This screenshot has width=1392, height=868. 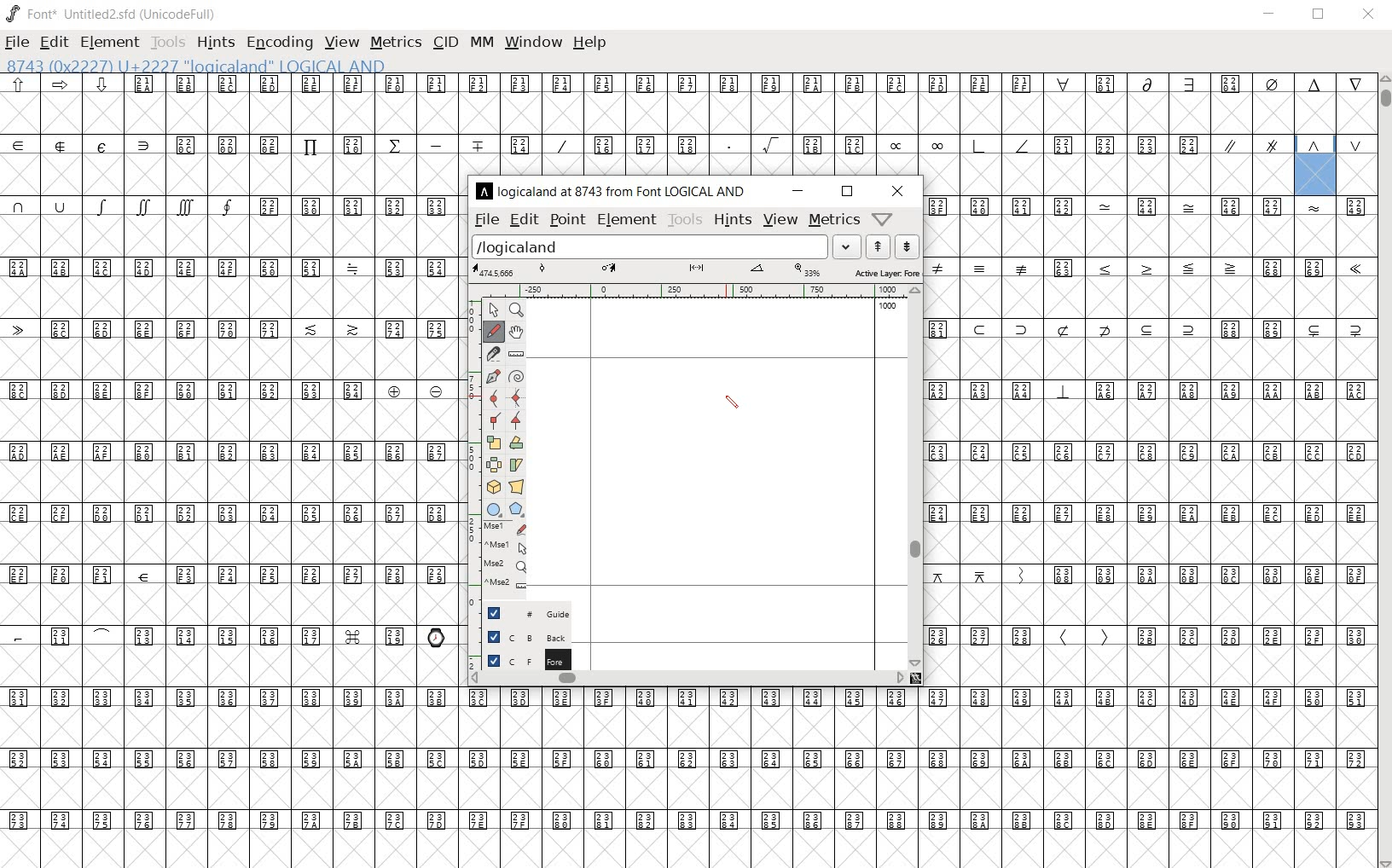 I want to click on Add a corner point, so click(x=517, y=420).